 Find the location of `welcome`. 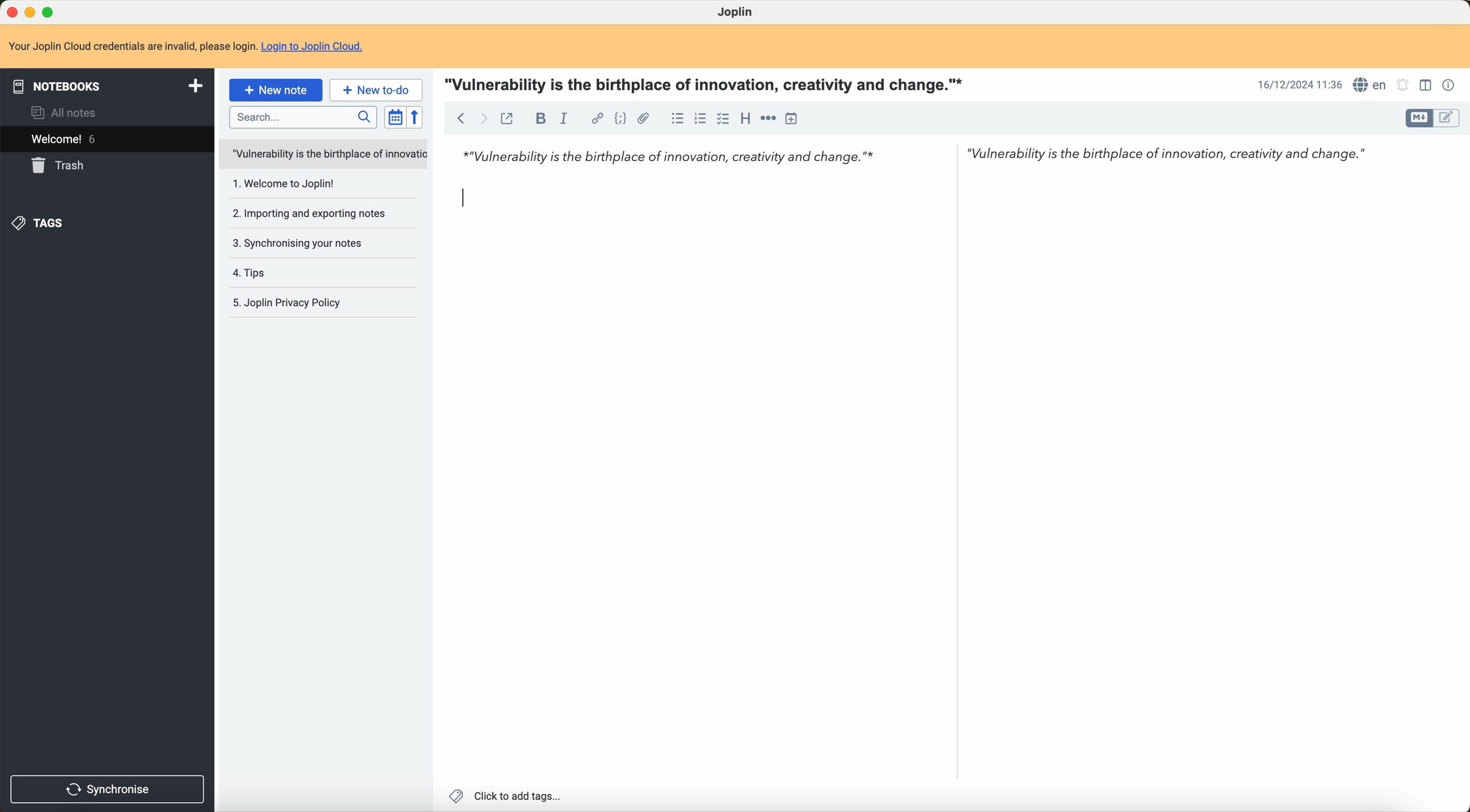

welcome is located at coordinates (66, 140).